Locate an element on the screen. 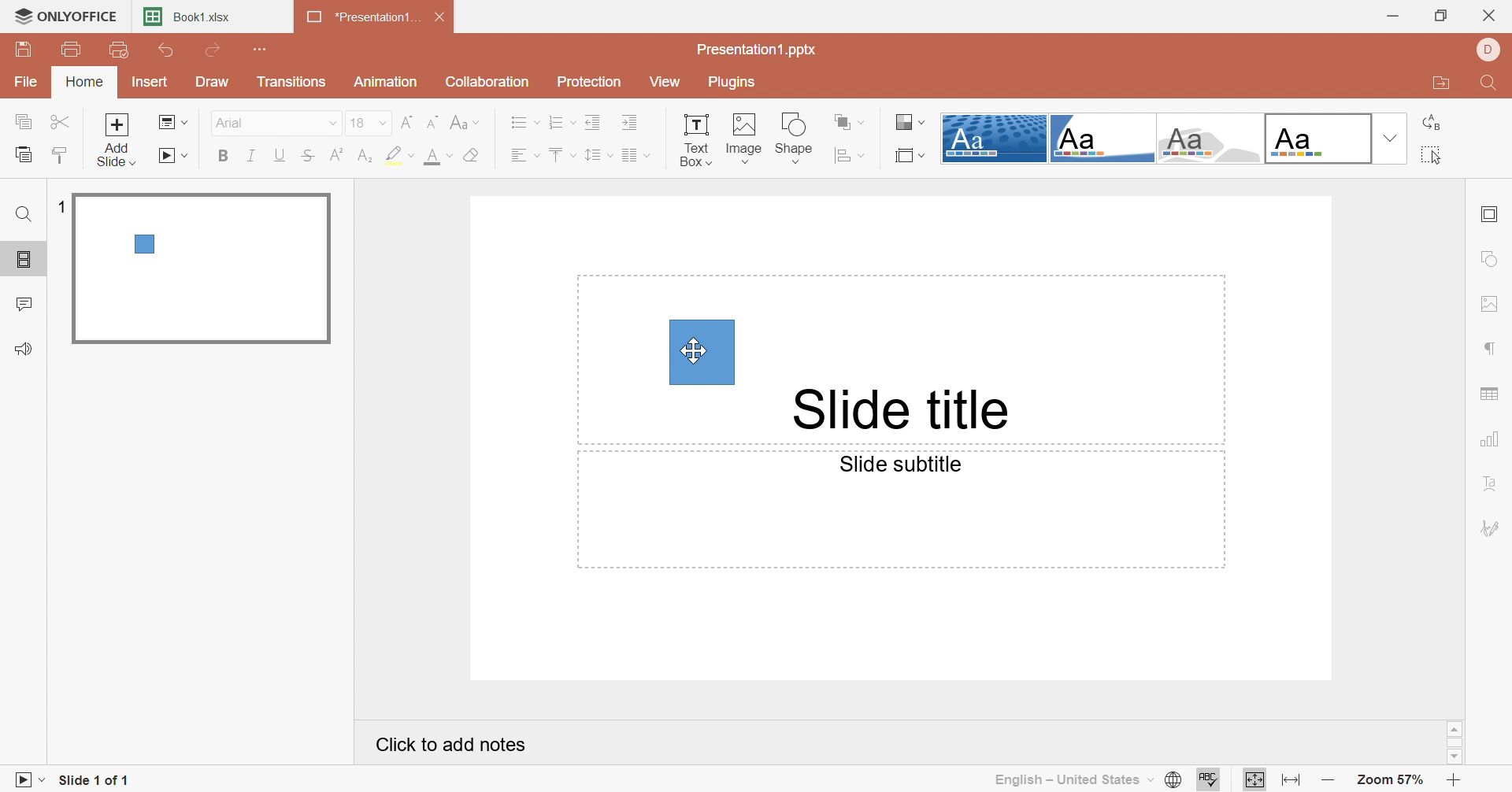 The image size is (1512, 792). Drop Down is located at coordinates (381, 124).